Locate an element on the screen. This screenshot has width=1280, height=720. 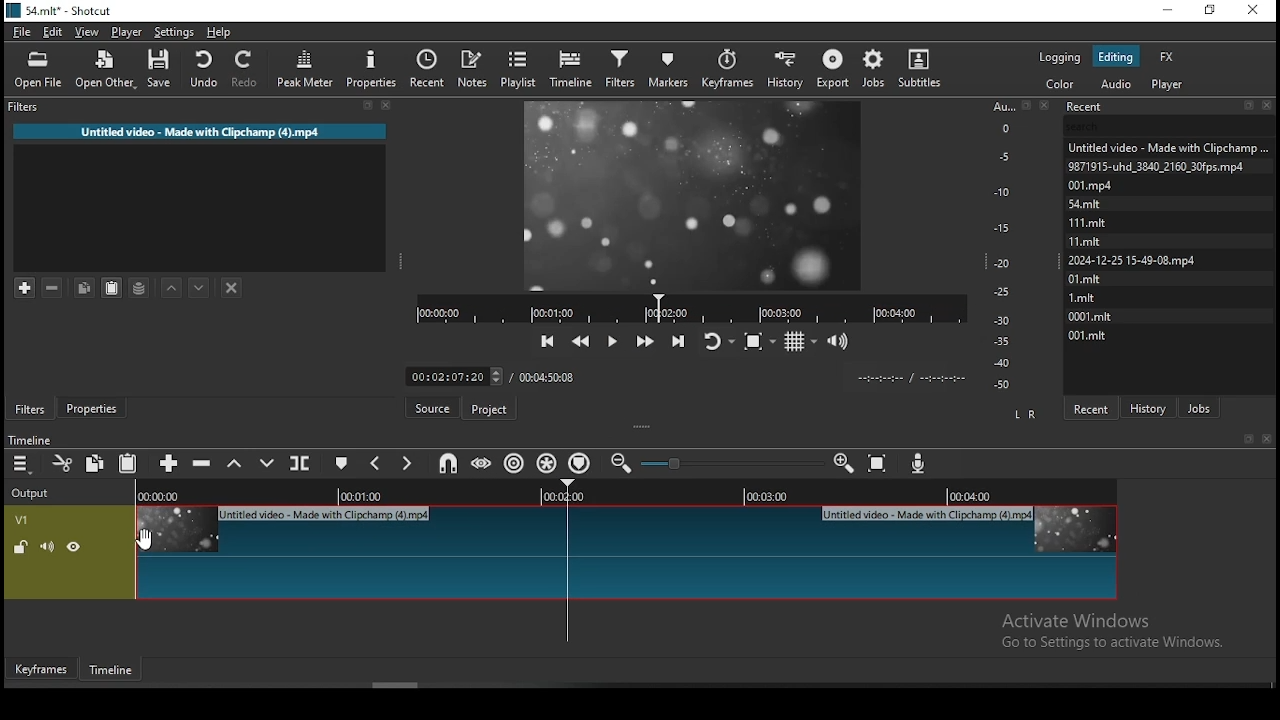
files is located at coordinates (1081, 297).